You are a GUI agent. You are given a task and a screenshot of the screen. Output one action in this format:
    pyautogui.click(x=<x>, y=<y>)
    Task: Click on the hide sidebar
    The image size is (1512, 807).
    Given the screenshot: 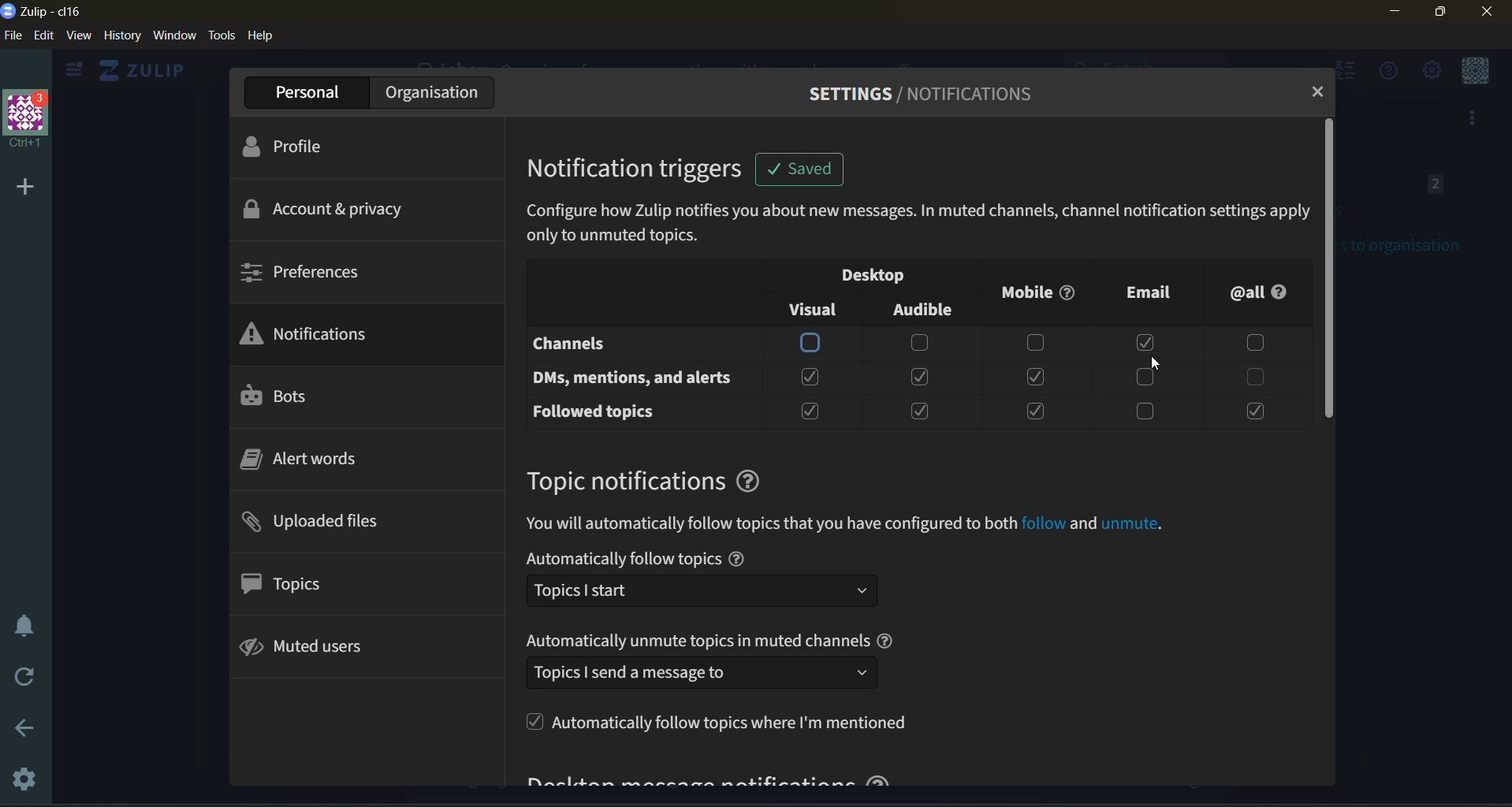 What is the action you would take?
    pyautogui.click(x=70, y=73)
    